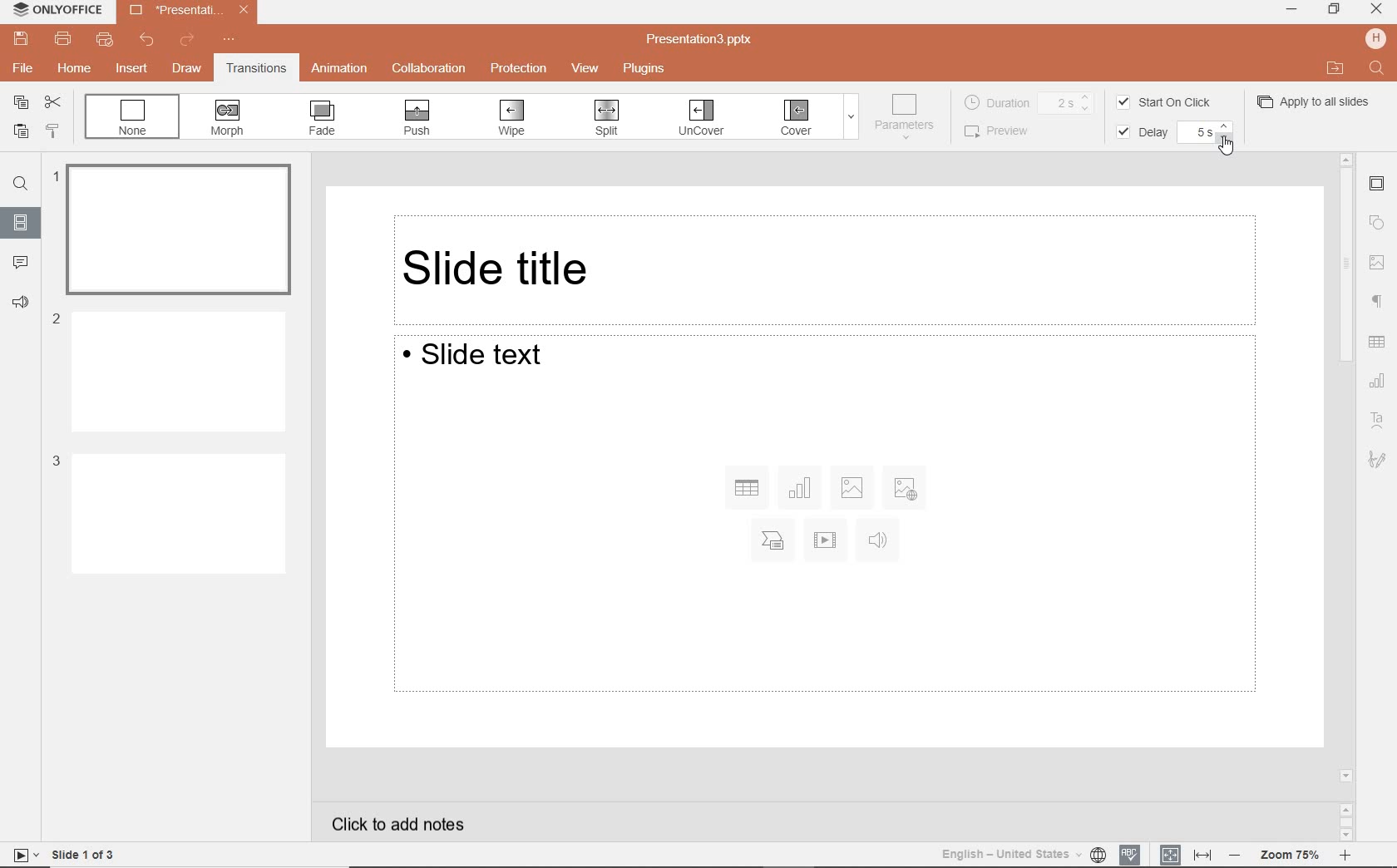 The width and height of the screenshot is (1397, 868). I want to click on FIT TO SLIDE / FIT TO WIDTH, so click(1187, 854).